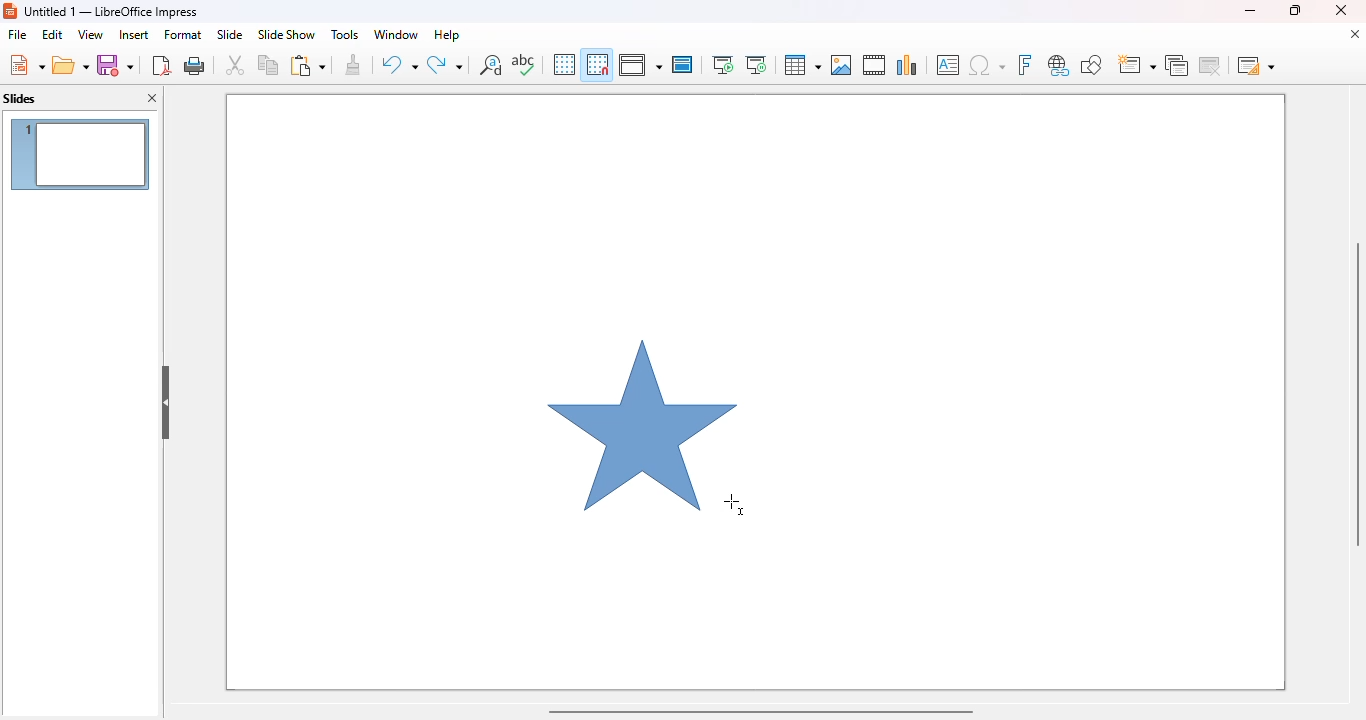 Image resolution: width=1366 pixels, height=720 pixels. What do you see at coordinates (907, 64) in the screenshot?
I see `insert chart` at bounding box center [907, 64].